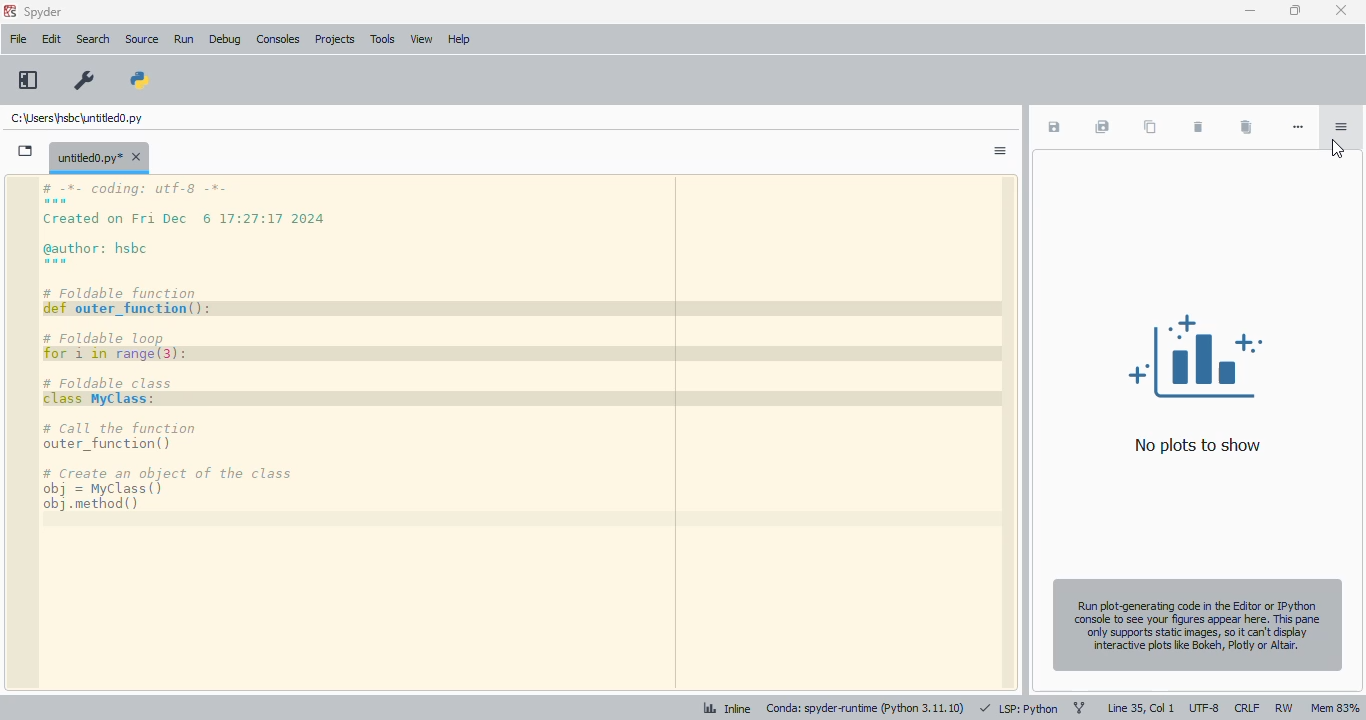  What do you see at coordinates (1148, 127) in the screenshot?
I see `copy plot to clipboard as image` at bounding box center [1148, 127].